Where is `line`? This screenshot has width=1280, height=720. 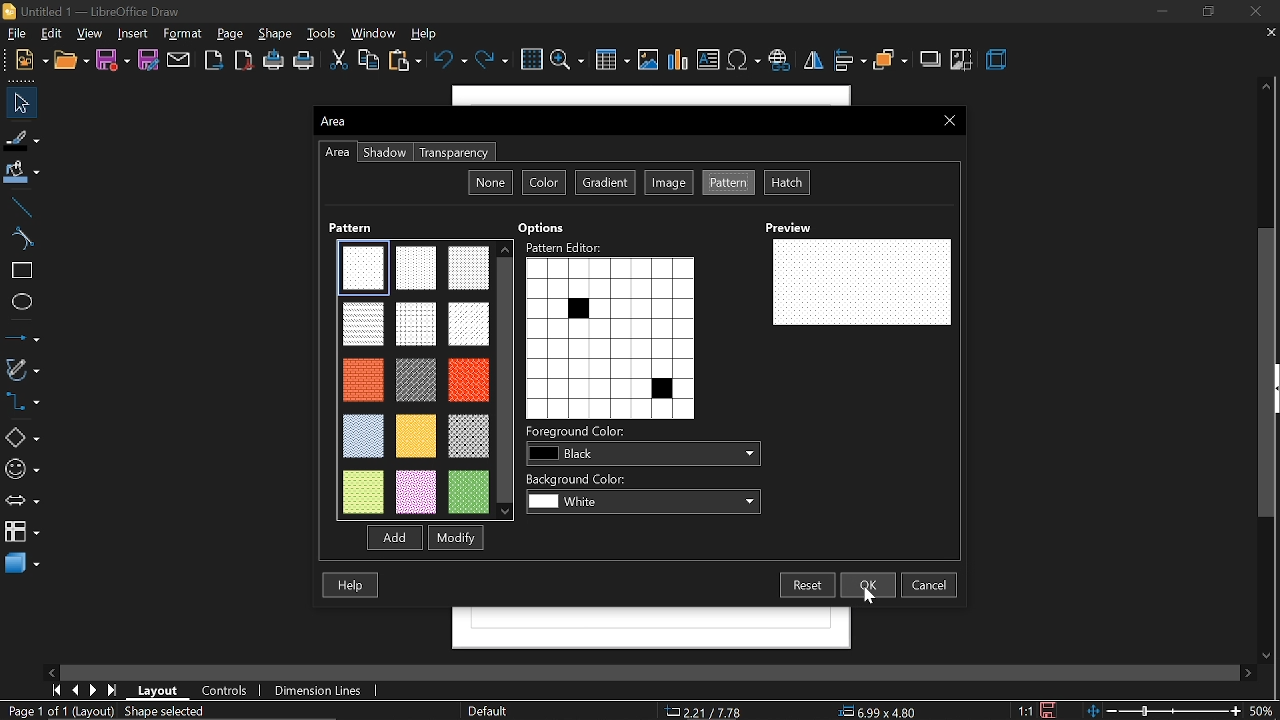 line is located at coordinates (23, 207).